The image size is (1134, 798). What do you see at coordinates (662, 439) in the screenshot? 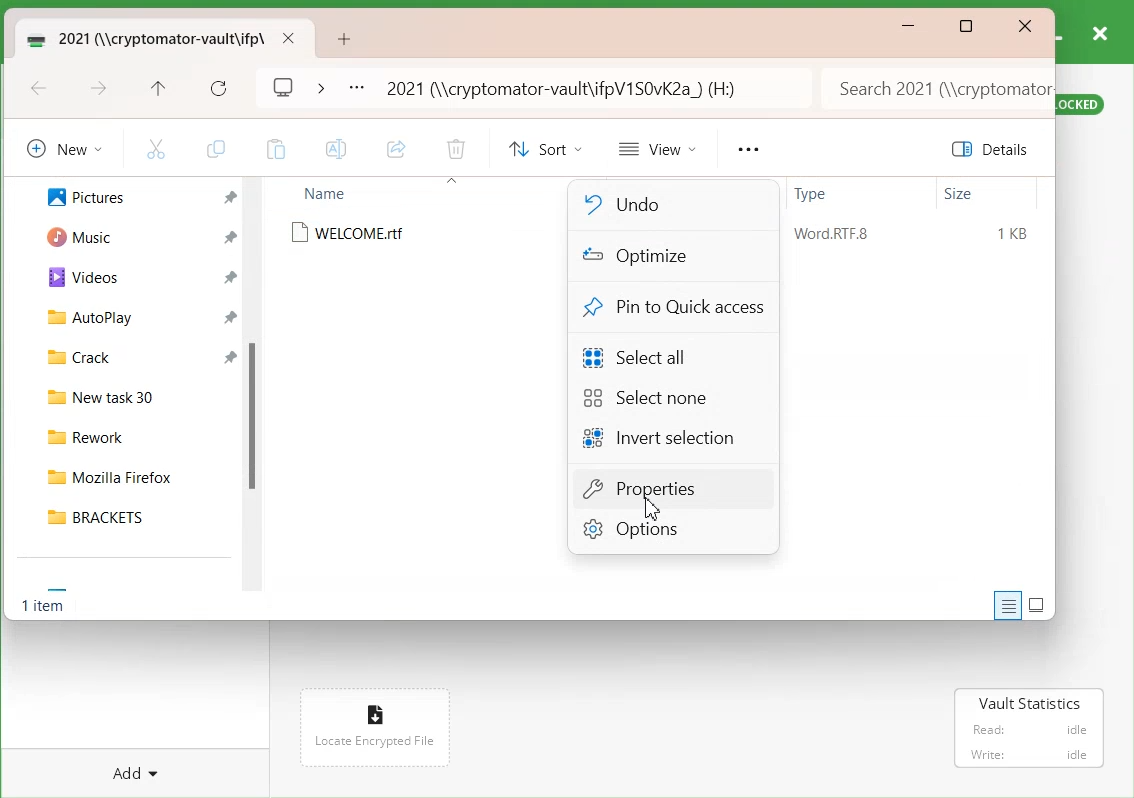
I see `Invert selection` at bounding box center [662, 439].